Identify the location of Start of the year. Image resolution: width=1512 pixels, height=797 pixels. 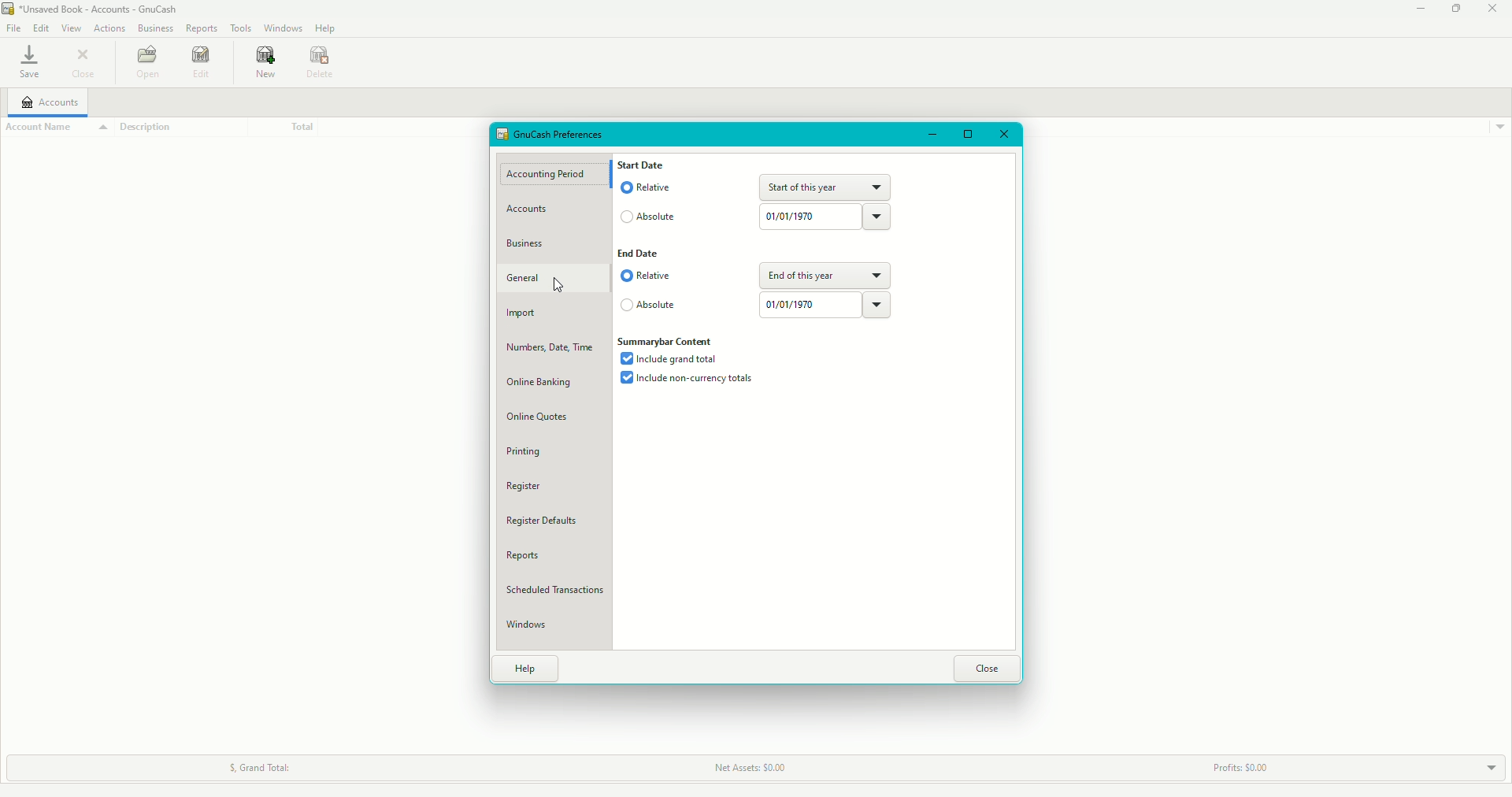
(825, 185).